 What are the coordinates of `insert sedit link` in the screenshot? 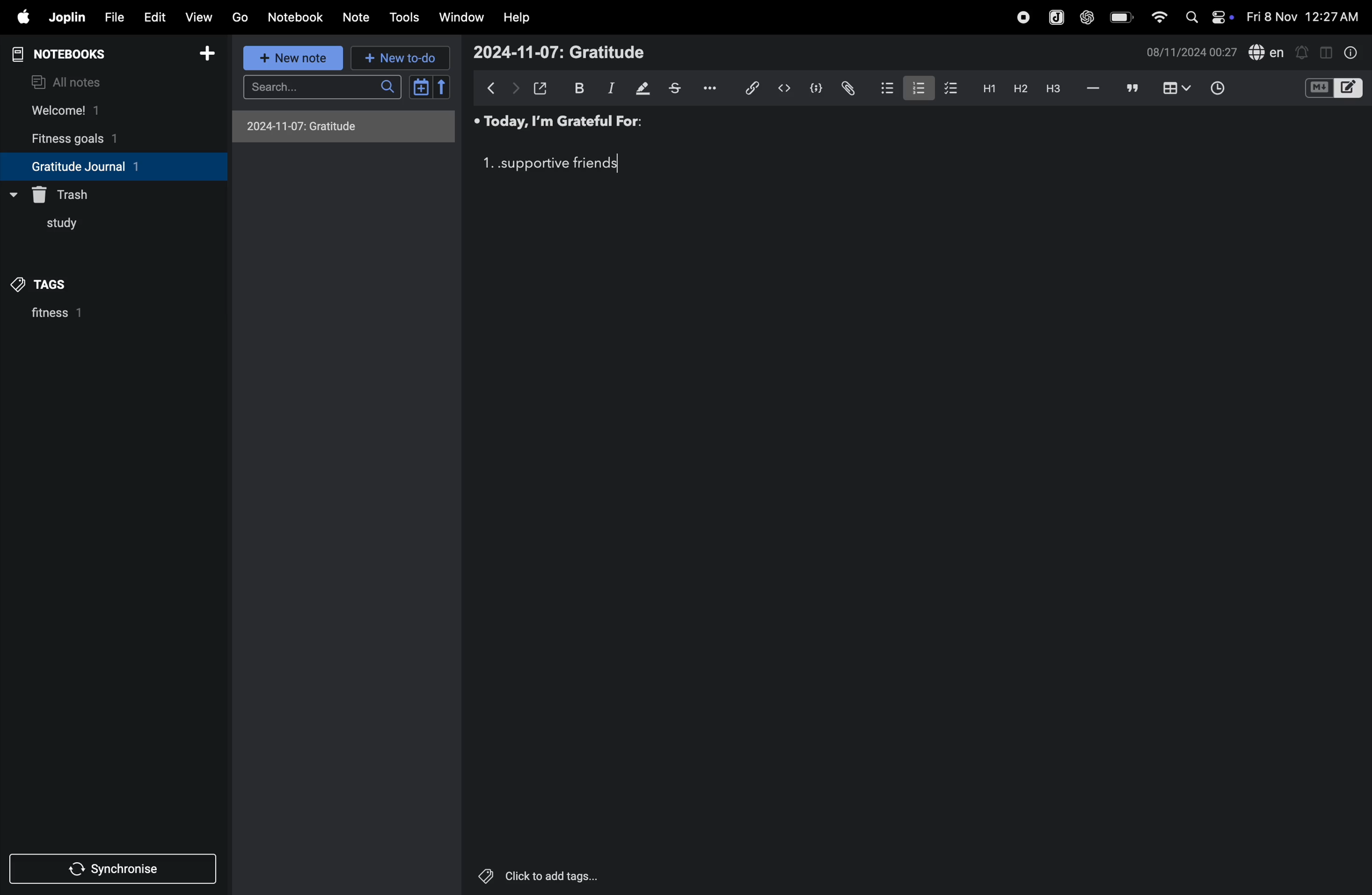 It's located at (752, 88).